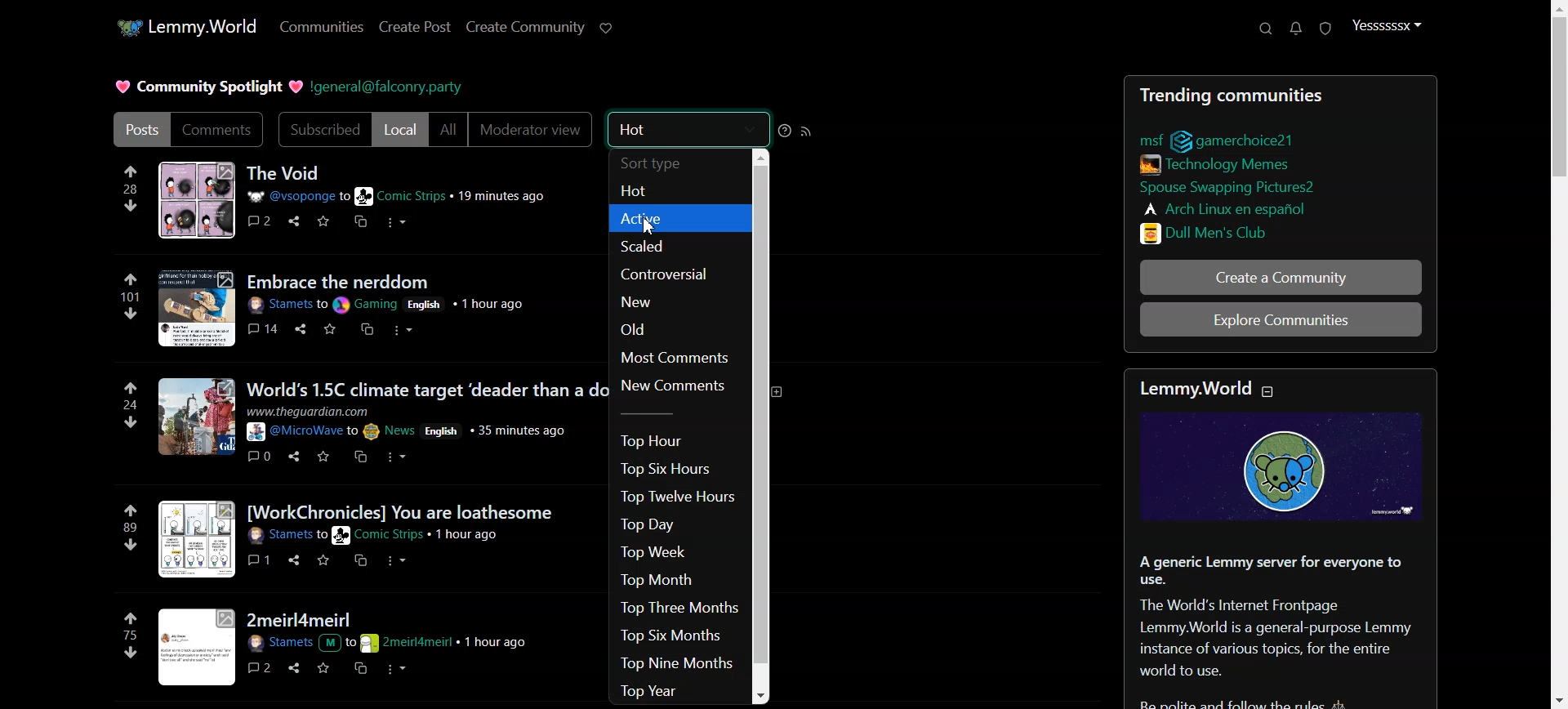 The height and width of the screenshot is (709, 1568). What do you see at coordinates (765, 429) in the screenshot?
I see `Vertical Scroll bar` at bounding box center [765, 429].